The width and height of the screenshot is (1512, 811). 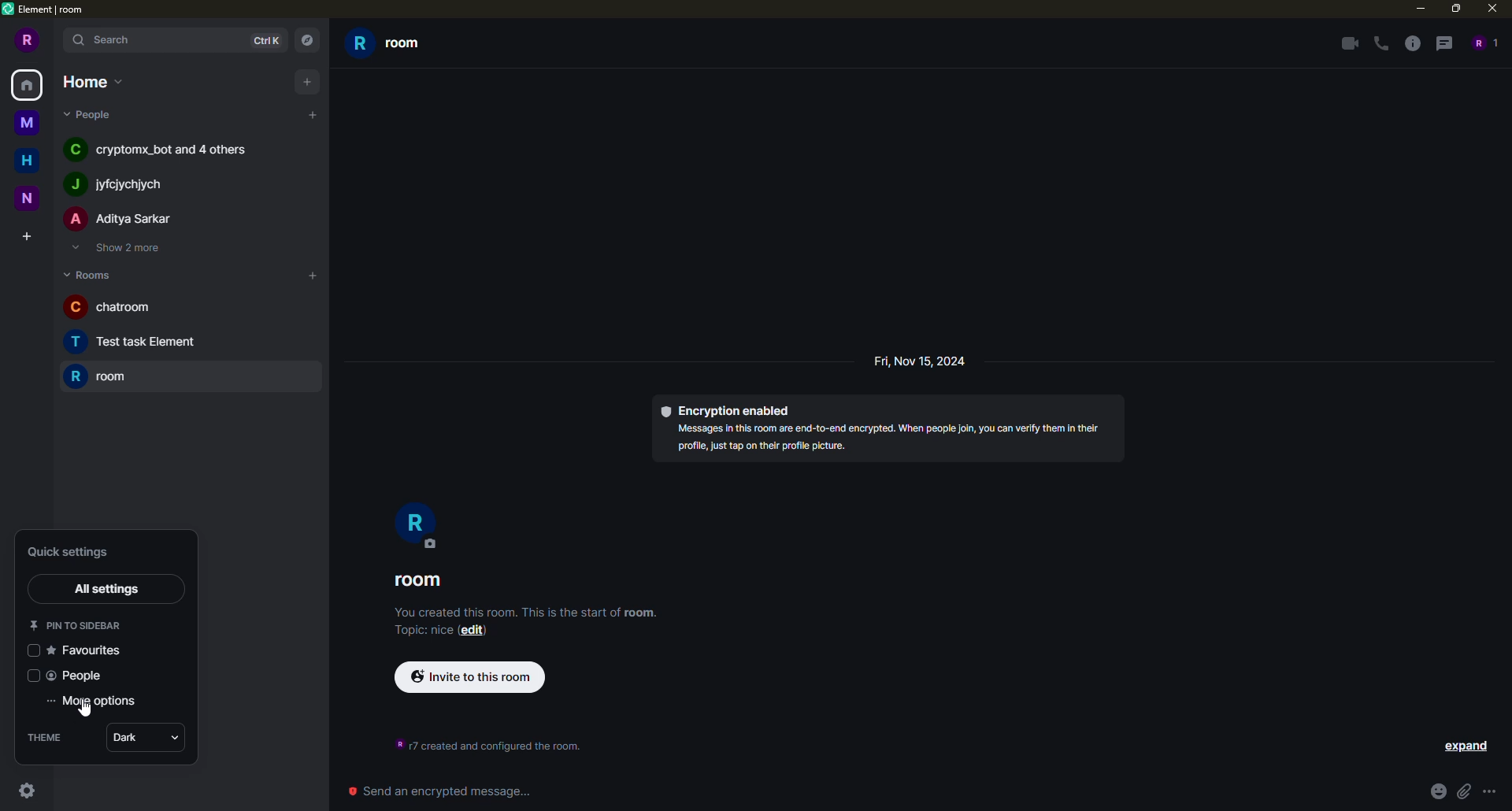 I want to click on ‘Messages in this room are end-to-end encrypted. When people join, you can verify them in their
profile, just tap on their profile picture., so click(x=878, y=441).